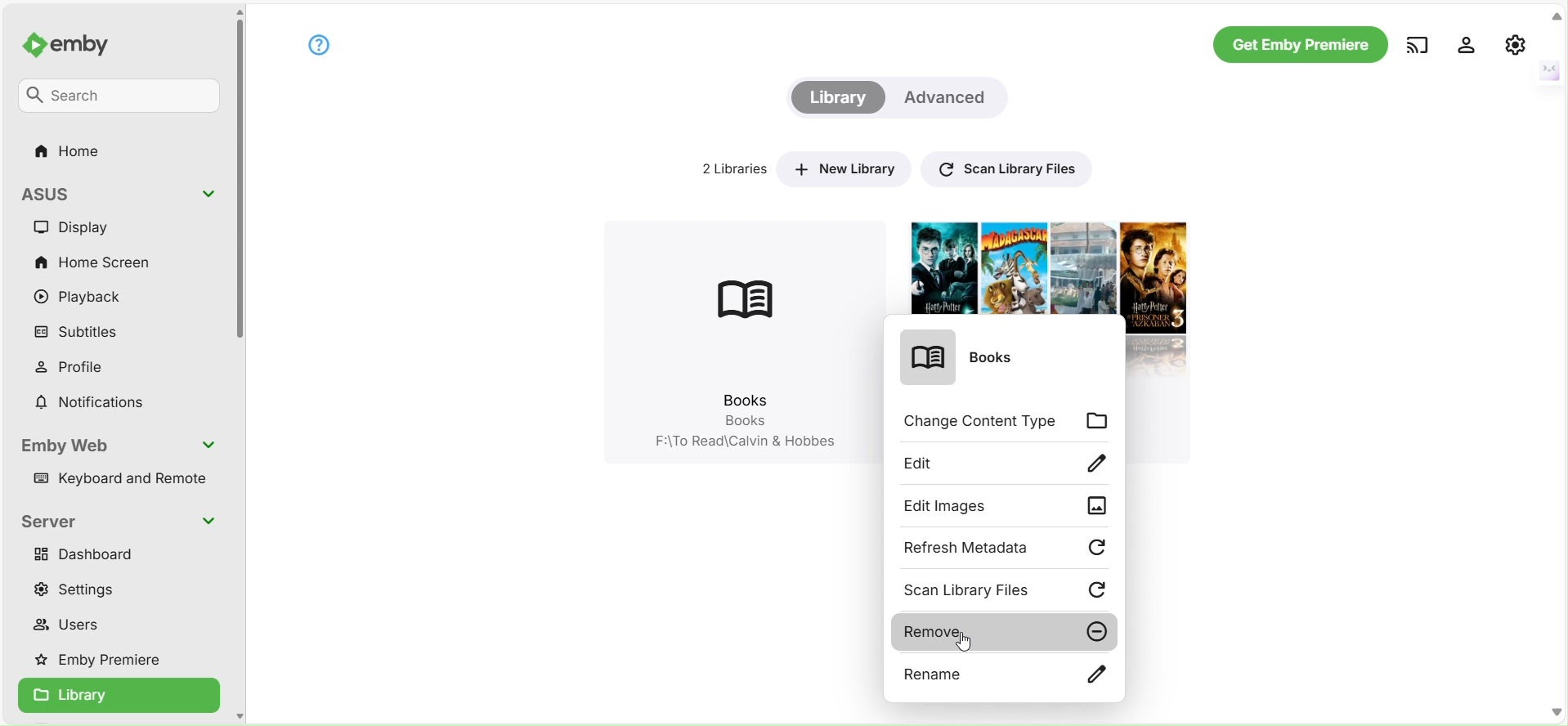 The image size is (1568, 726). I want to click on Number of Libraries, so click(728, 168).